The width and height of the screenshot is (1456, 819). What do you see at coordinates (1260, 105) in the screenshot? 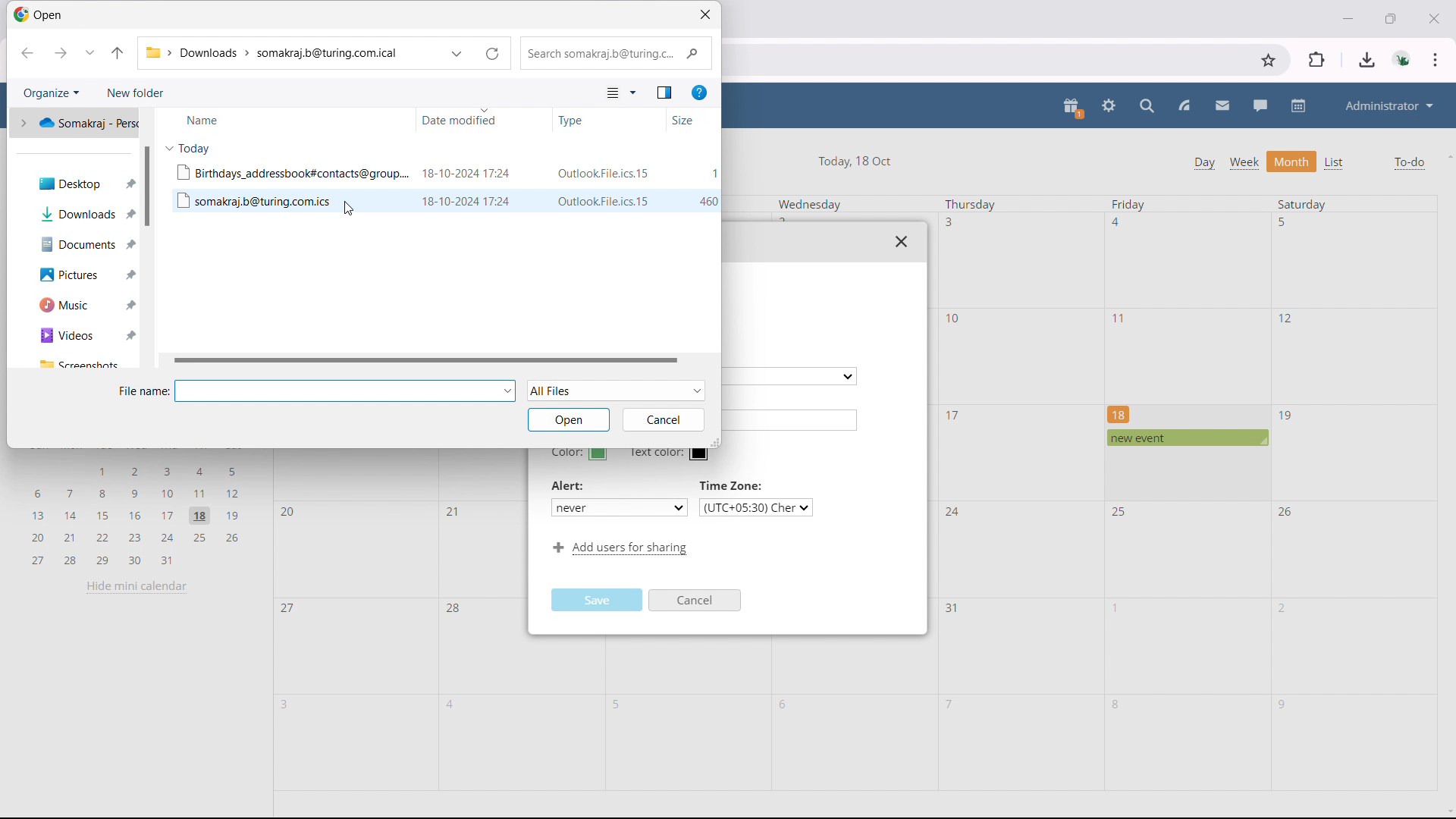
I see `talk` at bounding box center [1260, 105].